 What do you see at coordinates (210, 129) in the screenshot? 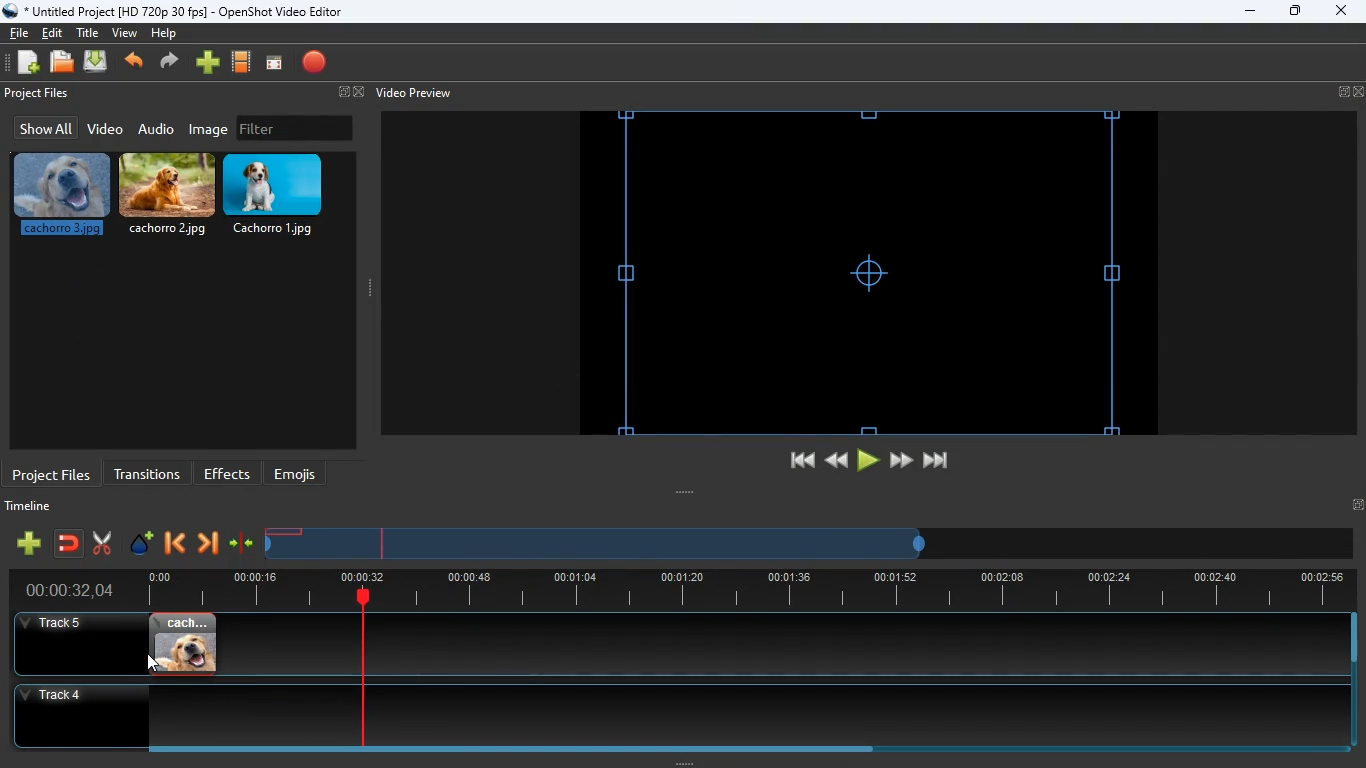
I see `image` at bounding box center [210, 129].